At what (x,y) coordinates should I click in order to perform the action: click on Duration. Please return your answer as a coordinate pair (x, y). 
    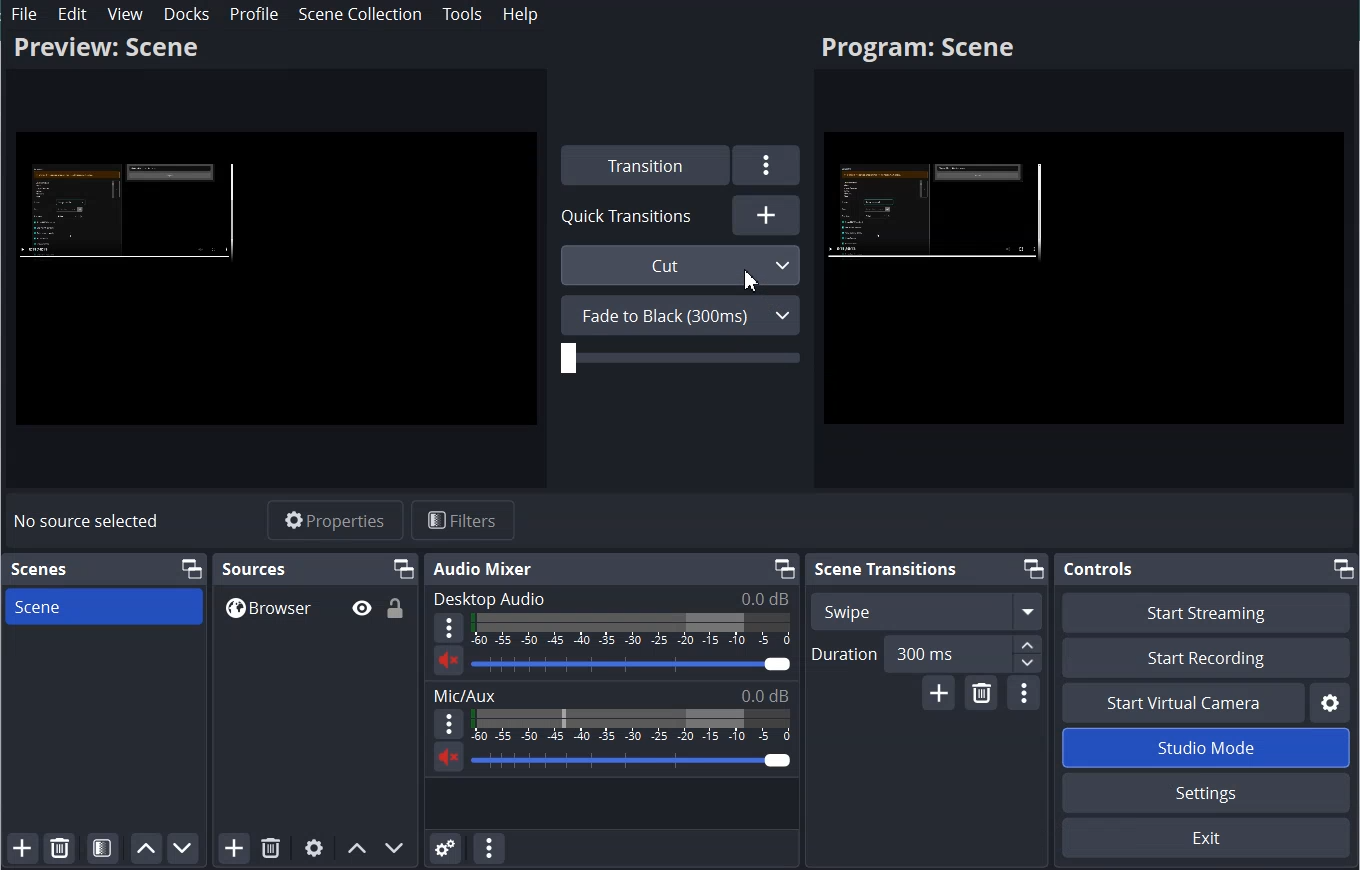
    Looking at the image, I should click on (926, 655).